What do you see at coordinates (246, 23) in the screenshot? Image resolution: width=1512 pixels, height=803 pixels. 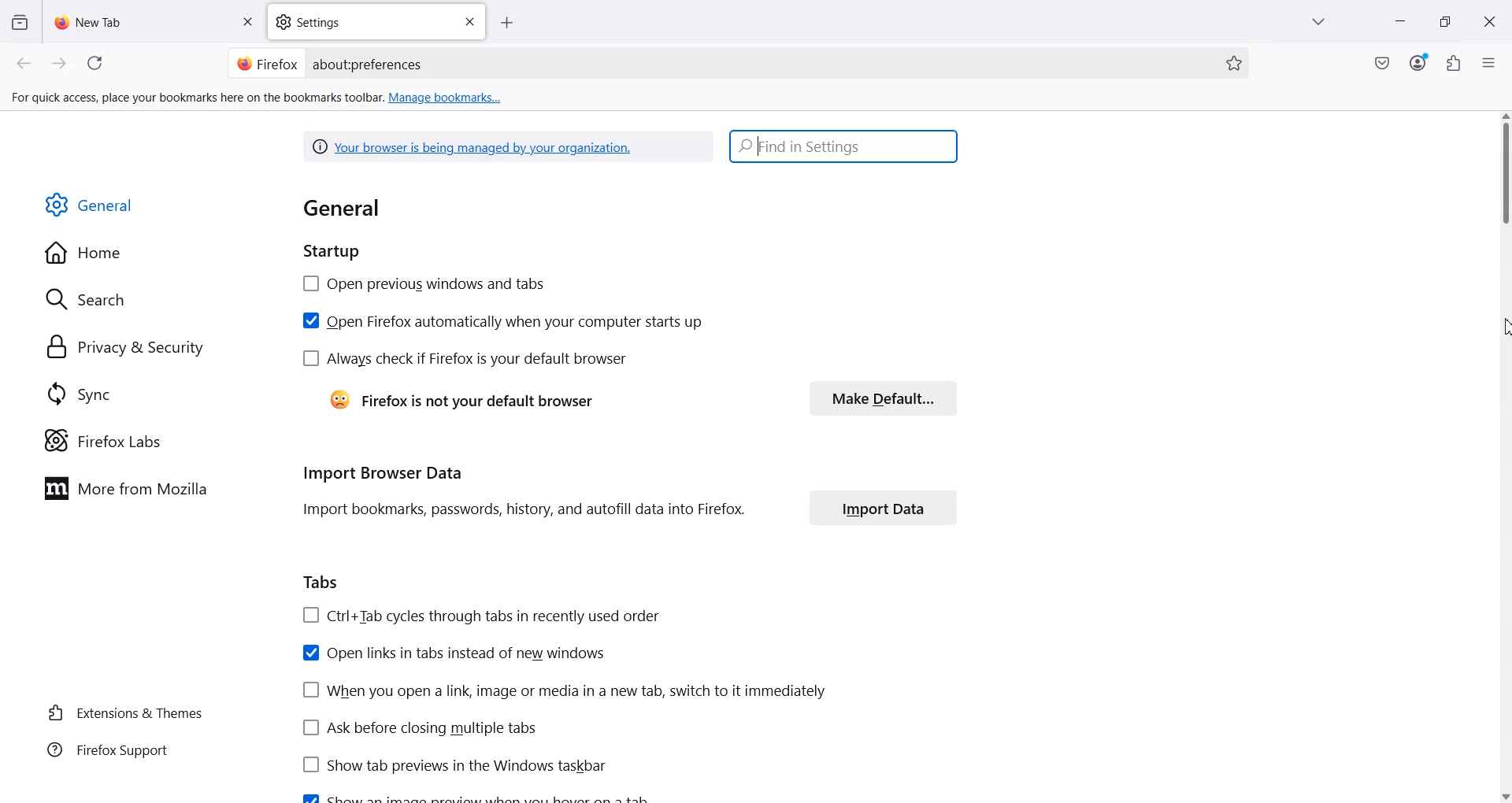 I see `Close` at bounding box center [246, 23].